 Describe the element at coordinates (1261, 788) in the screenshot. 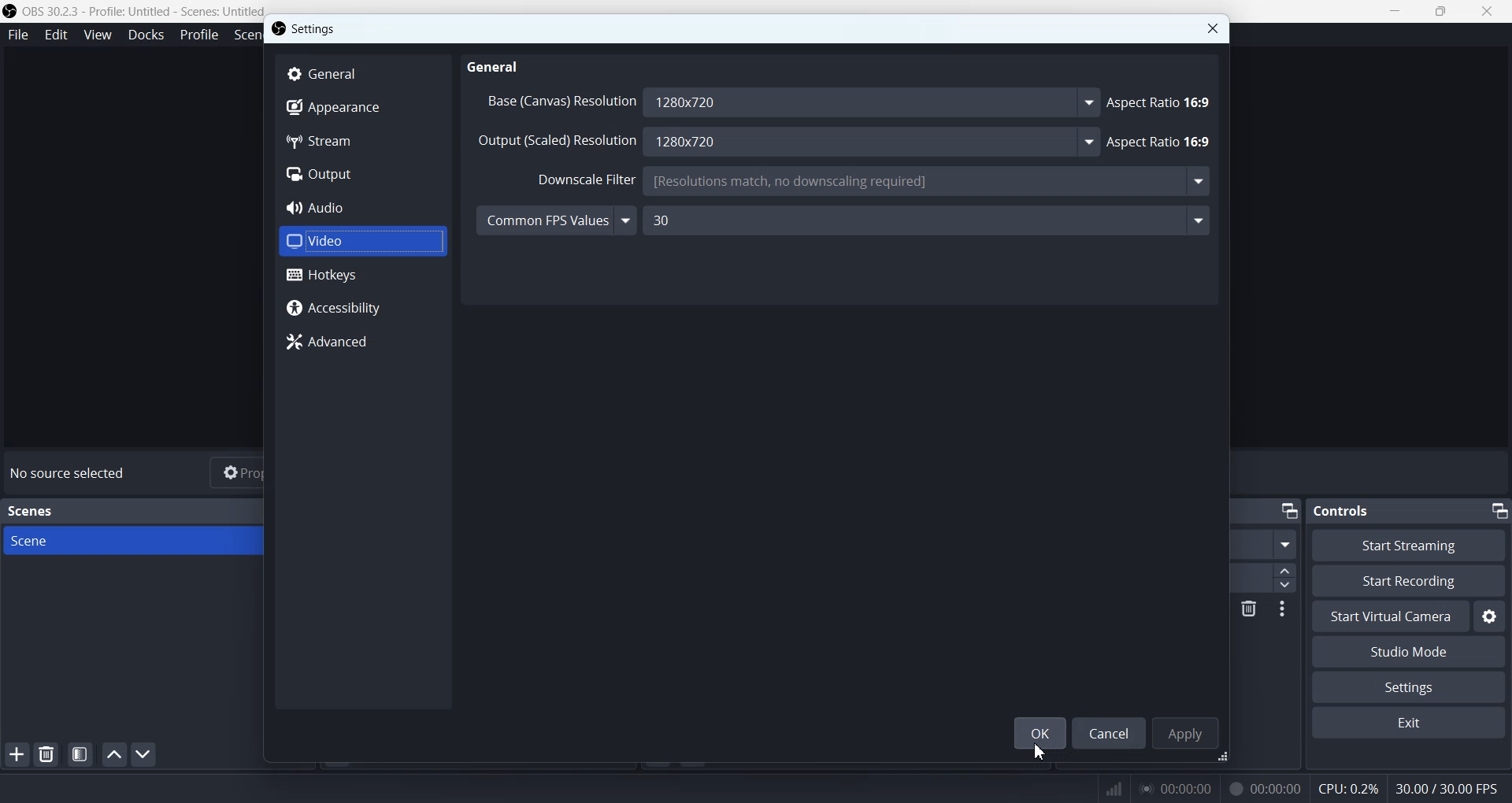

I see `00:00:00` at that location.